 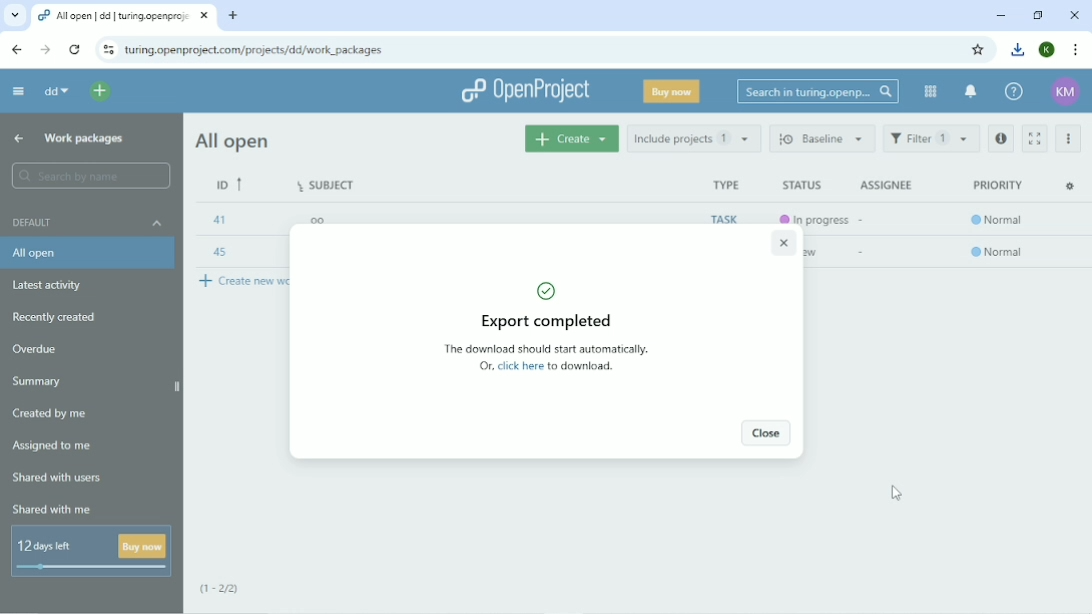 I want to click on ll, so click(x=317, y=251).